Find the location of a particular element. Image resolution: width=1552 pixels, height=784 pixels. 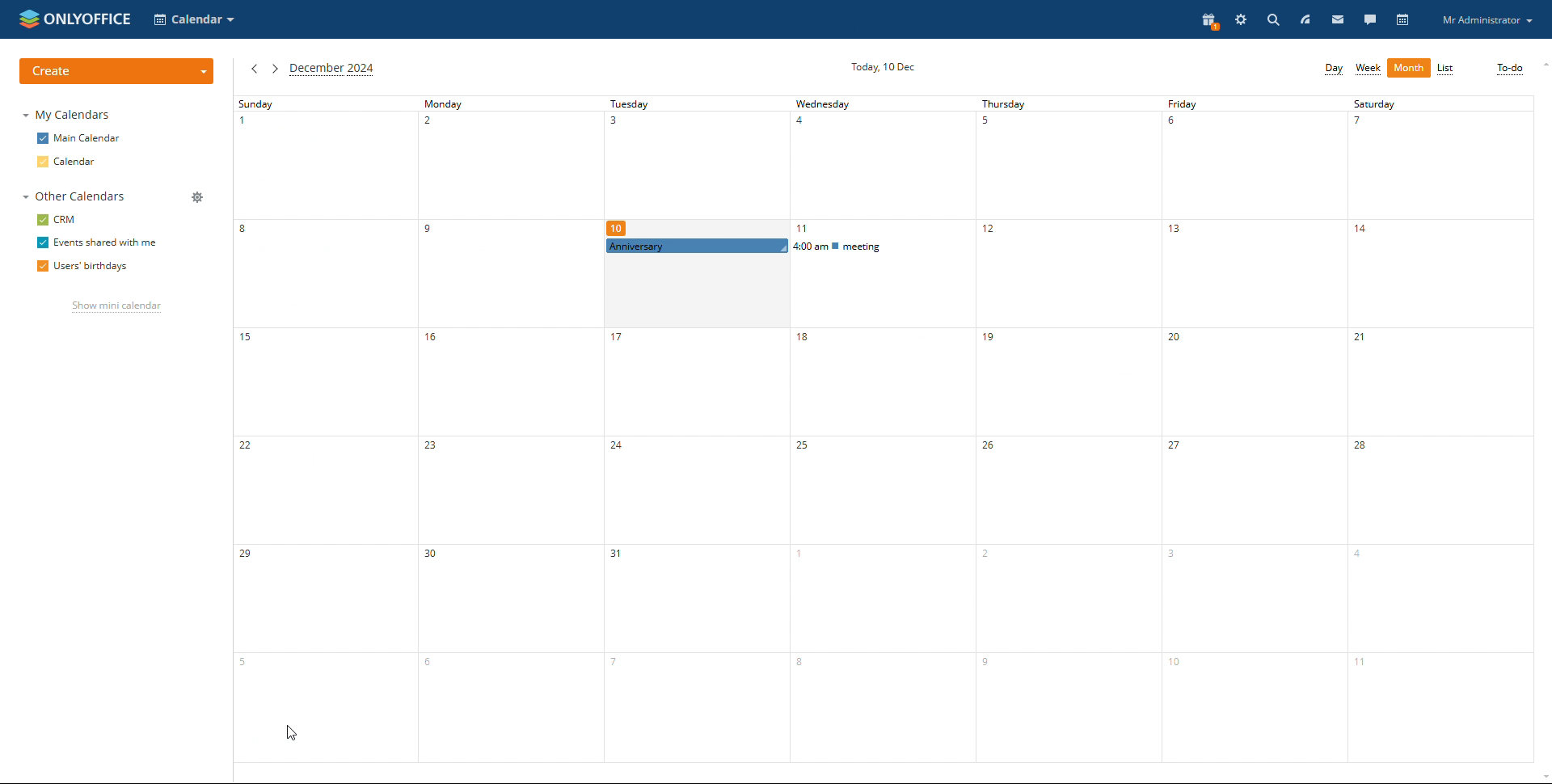

tuesday is located at coordinates (695, 166).